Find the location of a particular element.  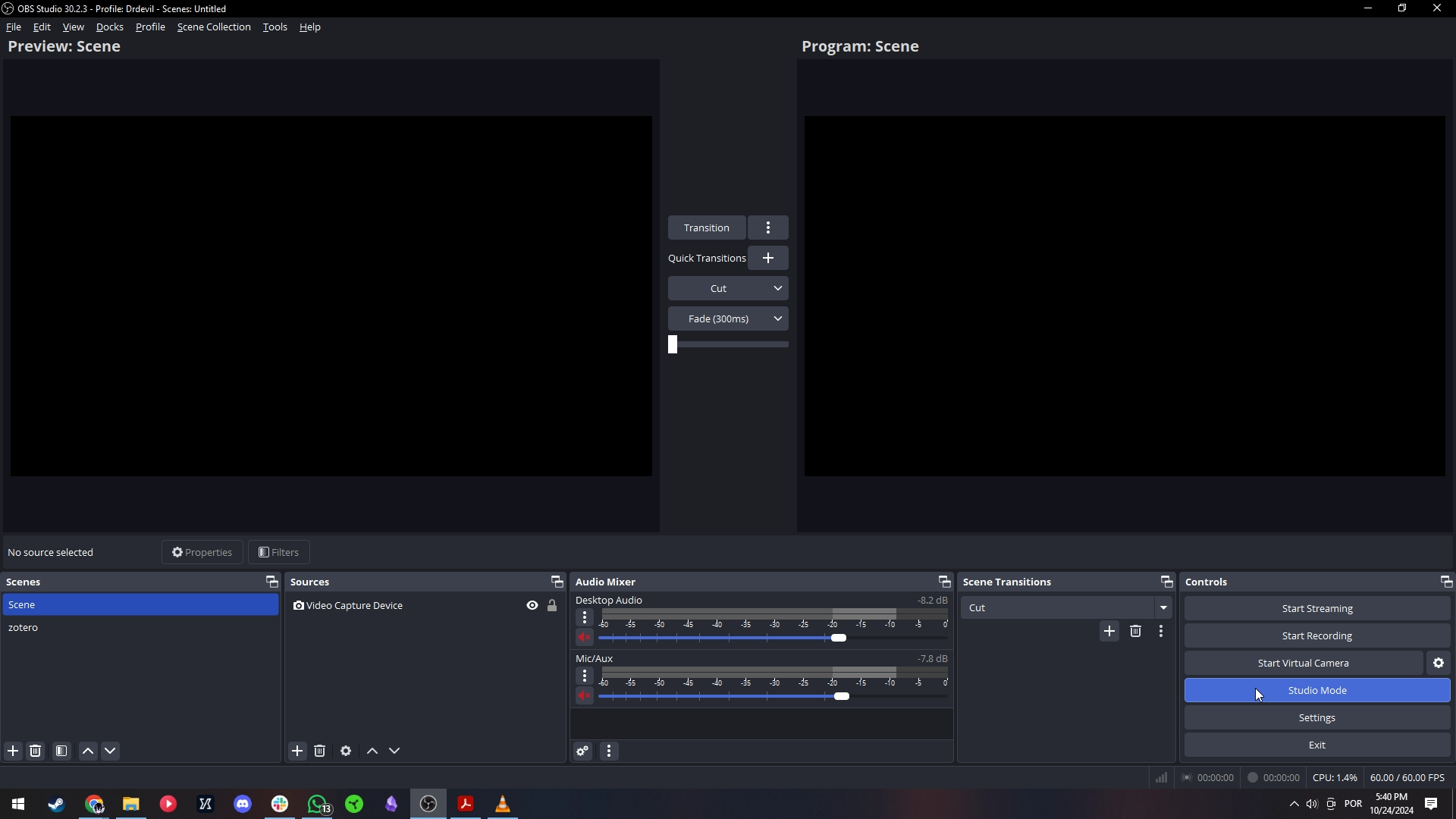

Transition menu is located at coordinates (769, 227).